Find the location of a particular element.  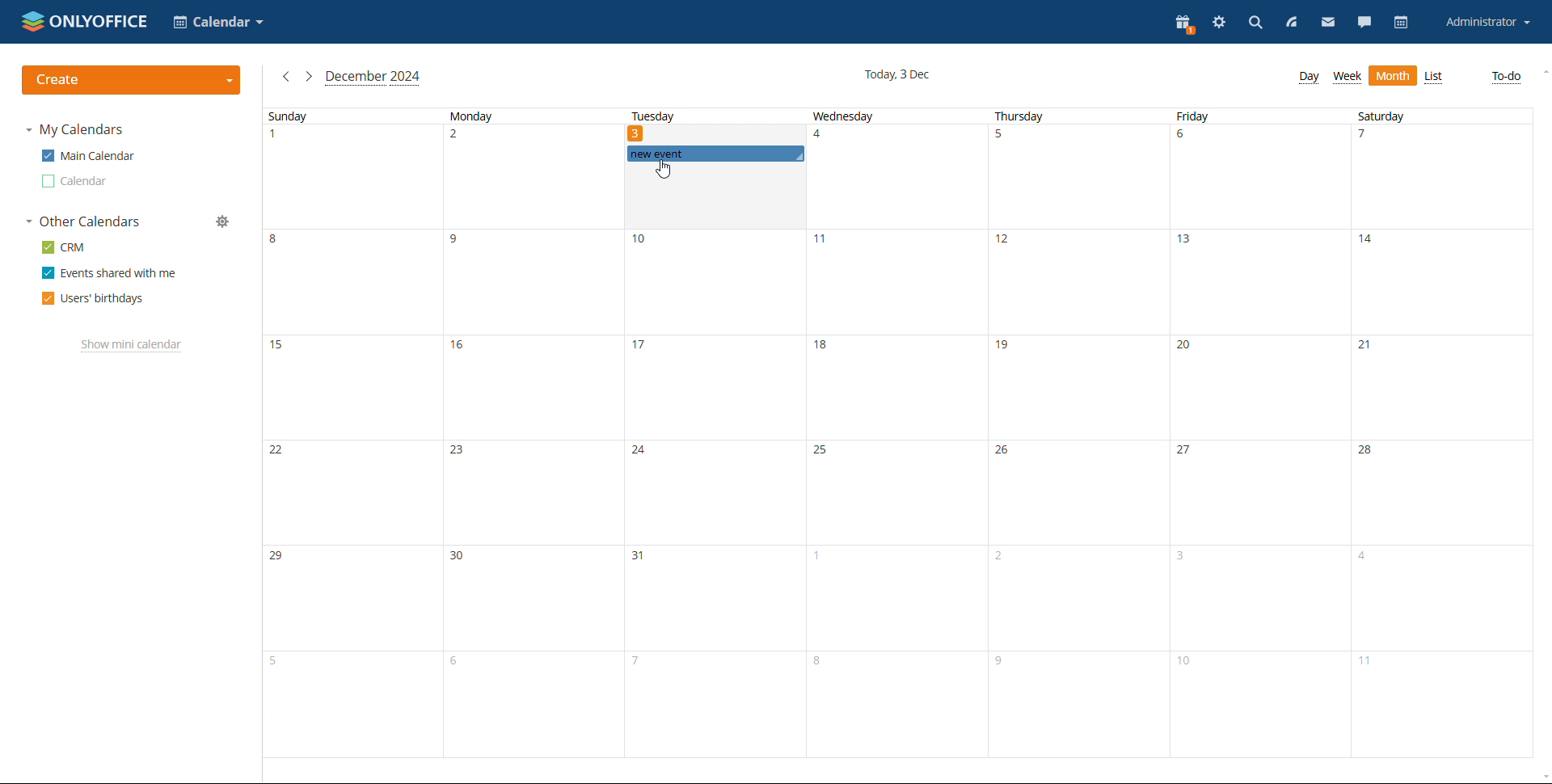

mail is located at coordinates (1327, 23).